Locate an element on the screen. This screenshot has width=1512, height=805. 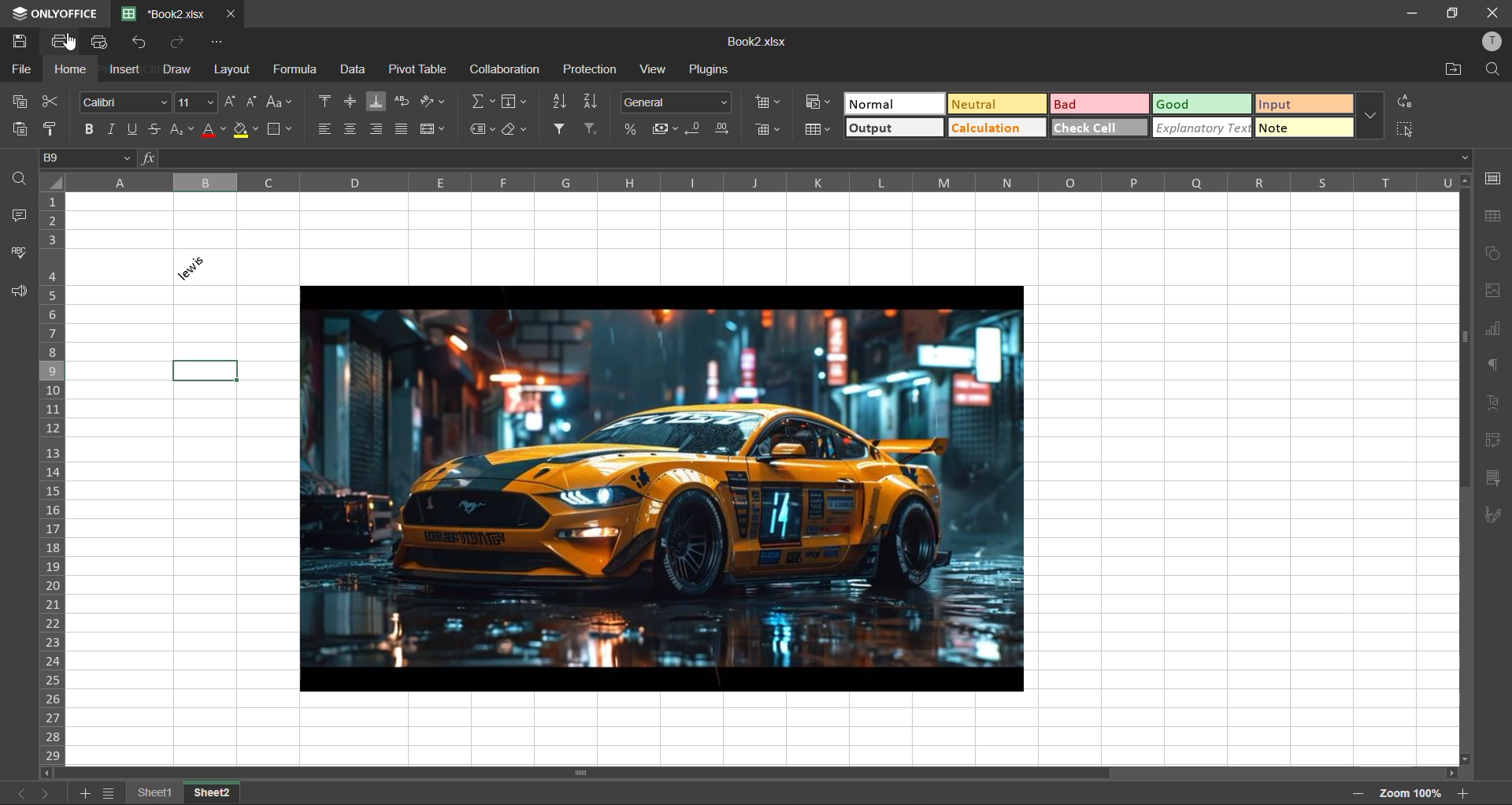
increment size is located at coordinates (232, 102).